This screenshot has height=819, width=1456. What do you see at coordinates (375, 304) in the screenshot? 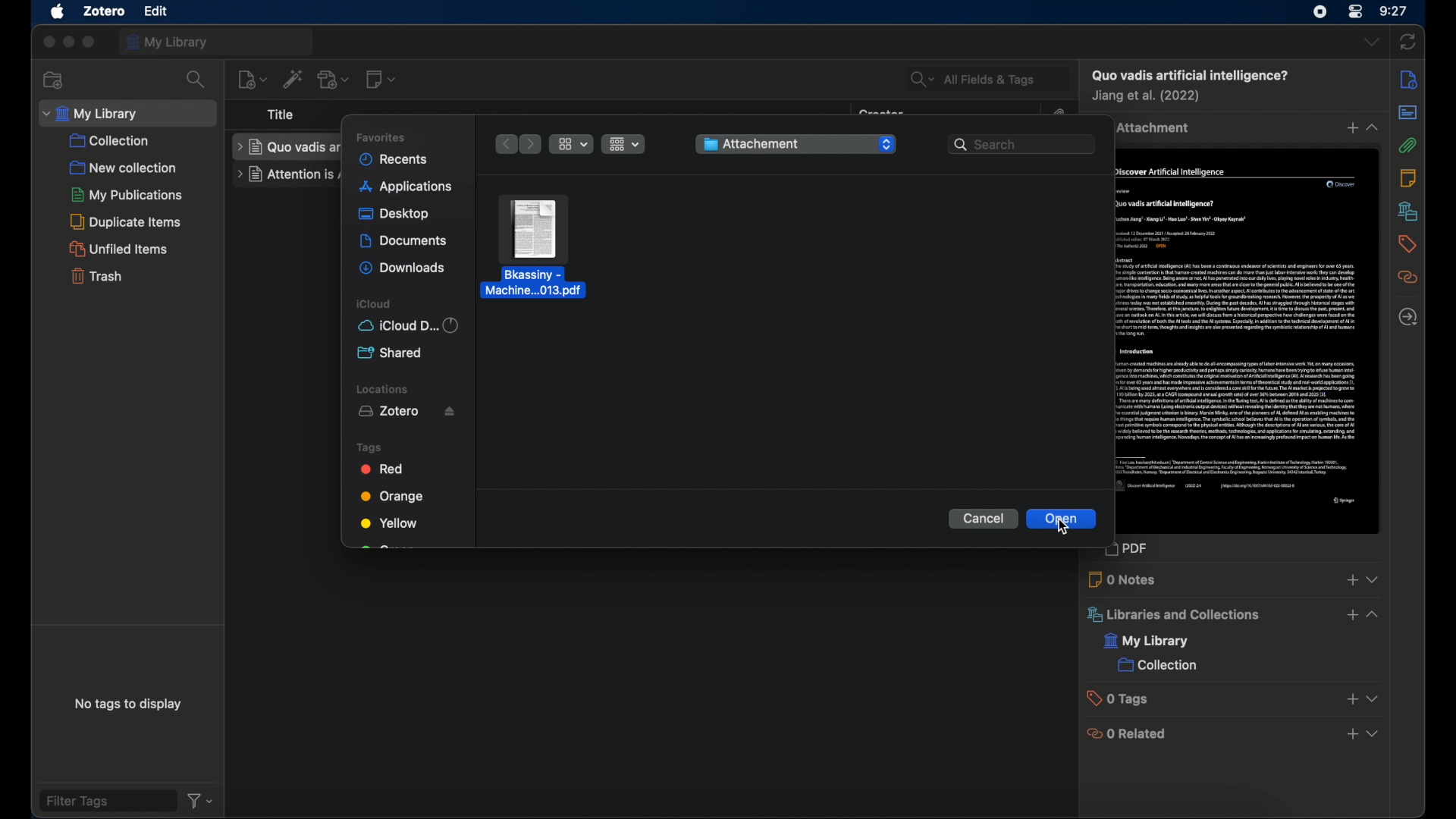
I see `iCloud` at bounding box center [375, 304].